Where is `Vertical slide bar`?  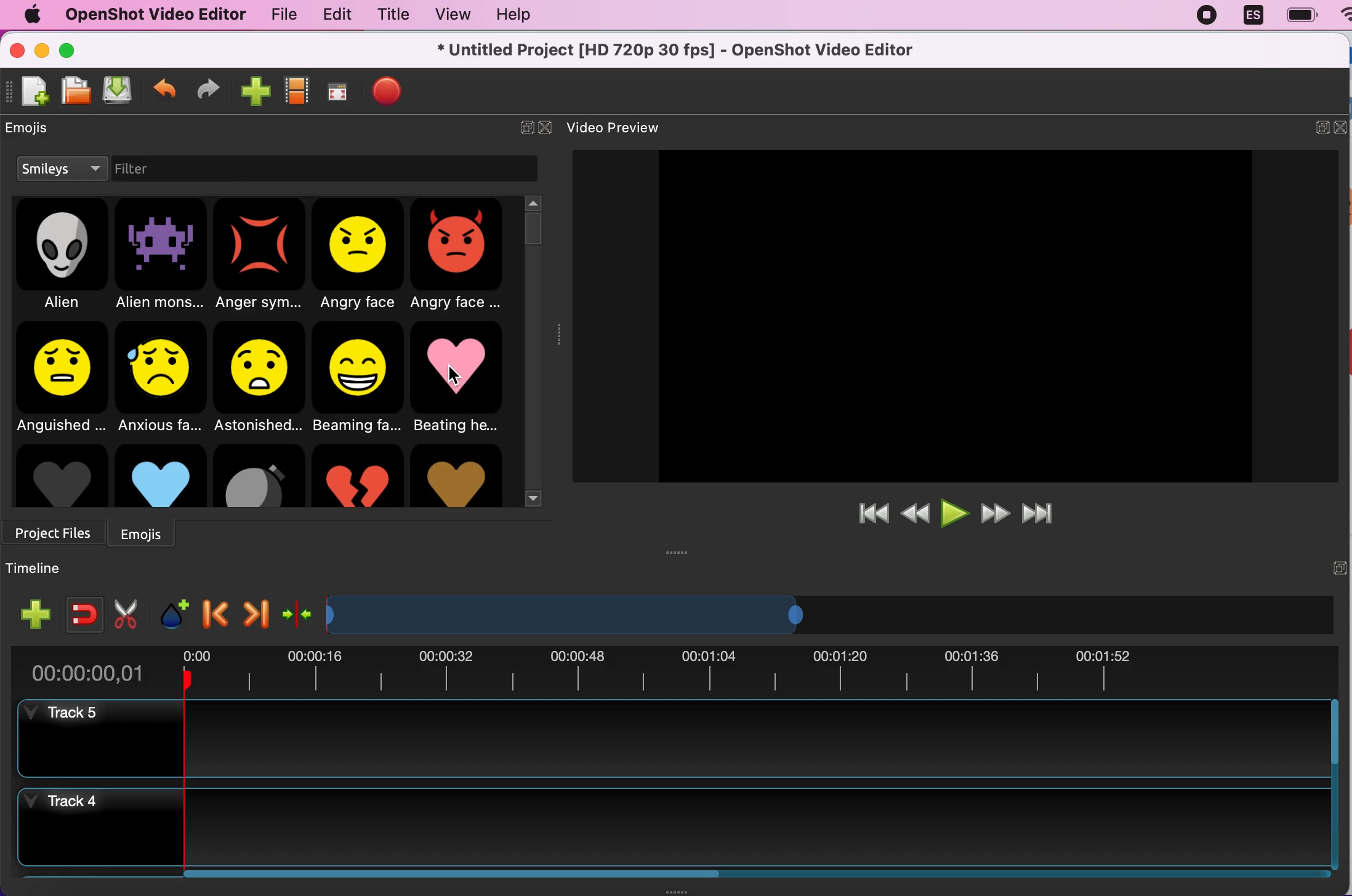
Vertical slide bar is located at coordinates (1334, 784).